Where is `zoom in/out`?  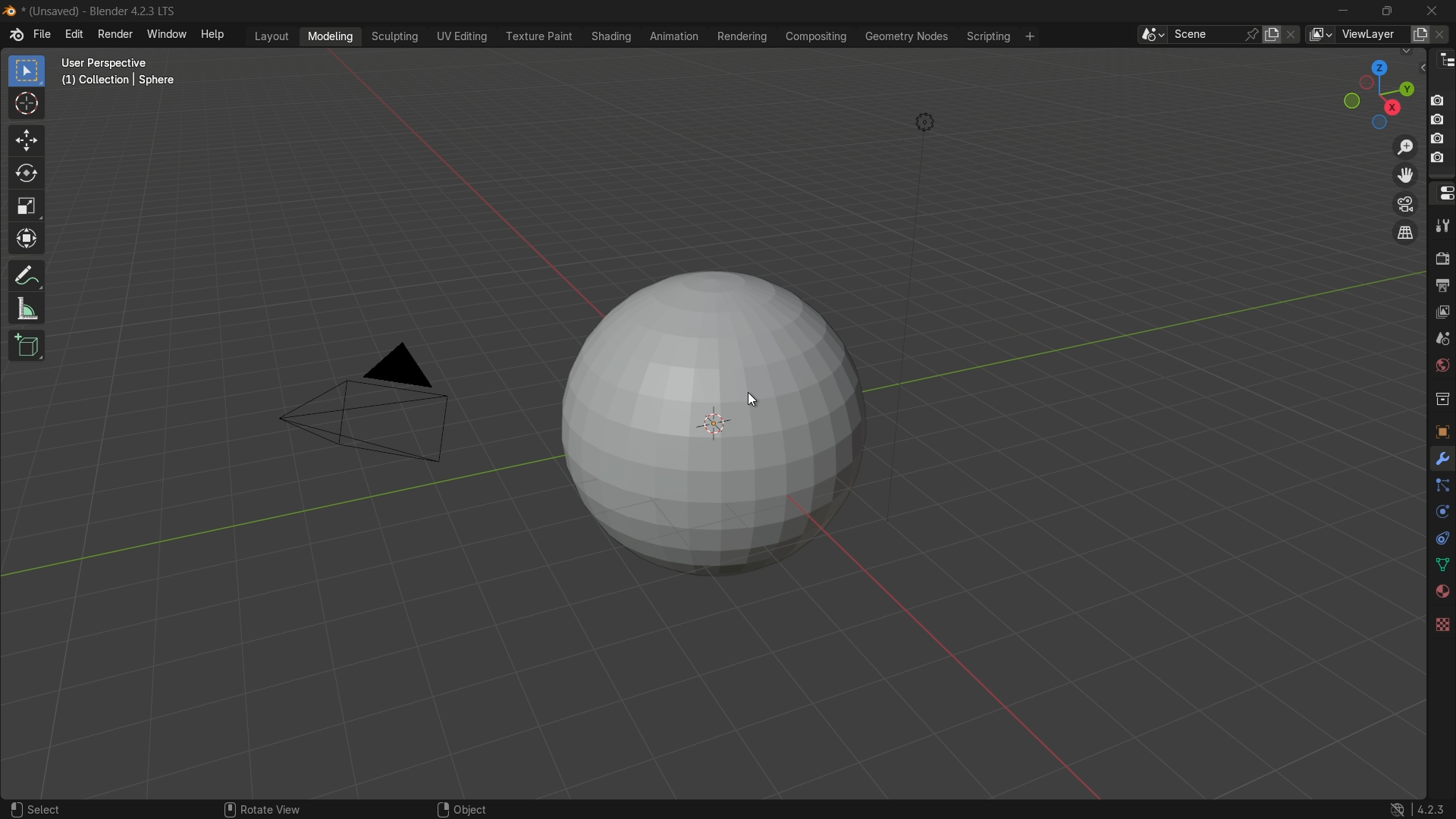
zoom in/out is located at coordinates (1404, 148).